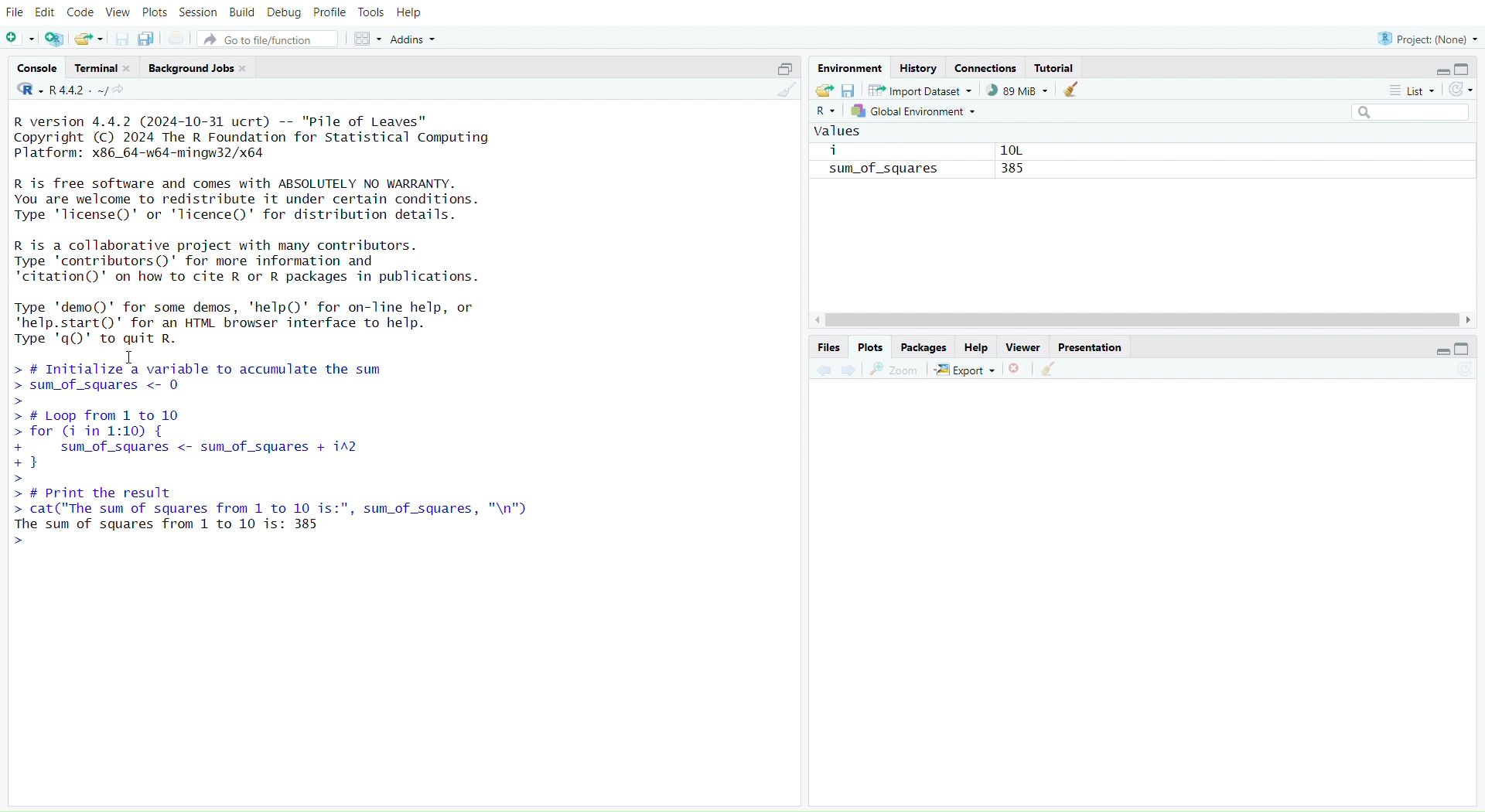  What do you see at coordinates (91, 40) in the screenshot?
I see `open an existing file` at bounding box center [91, 40].